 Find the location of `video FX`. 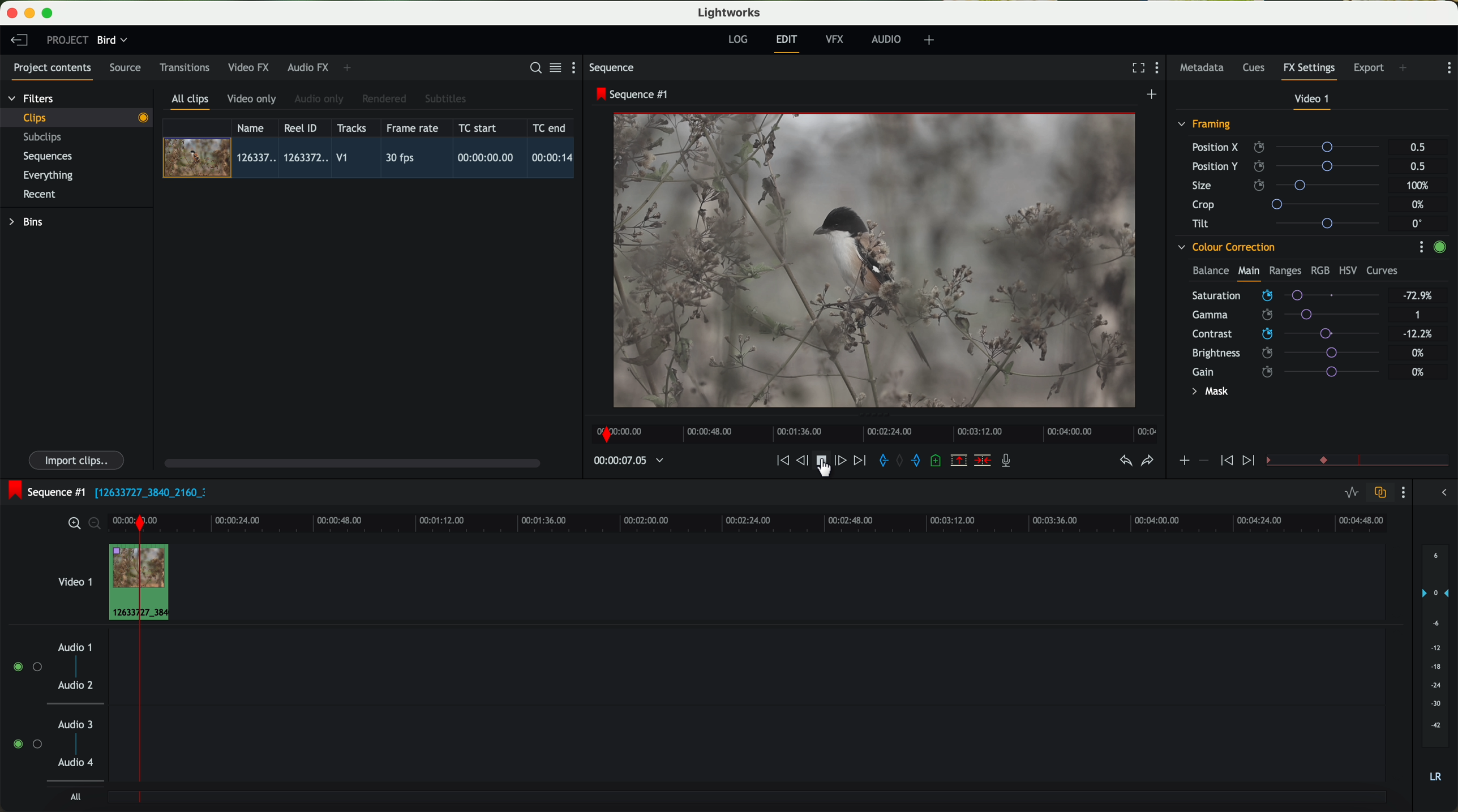

video FX is located at coordinates (251, 67).